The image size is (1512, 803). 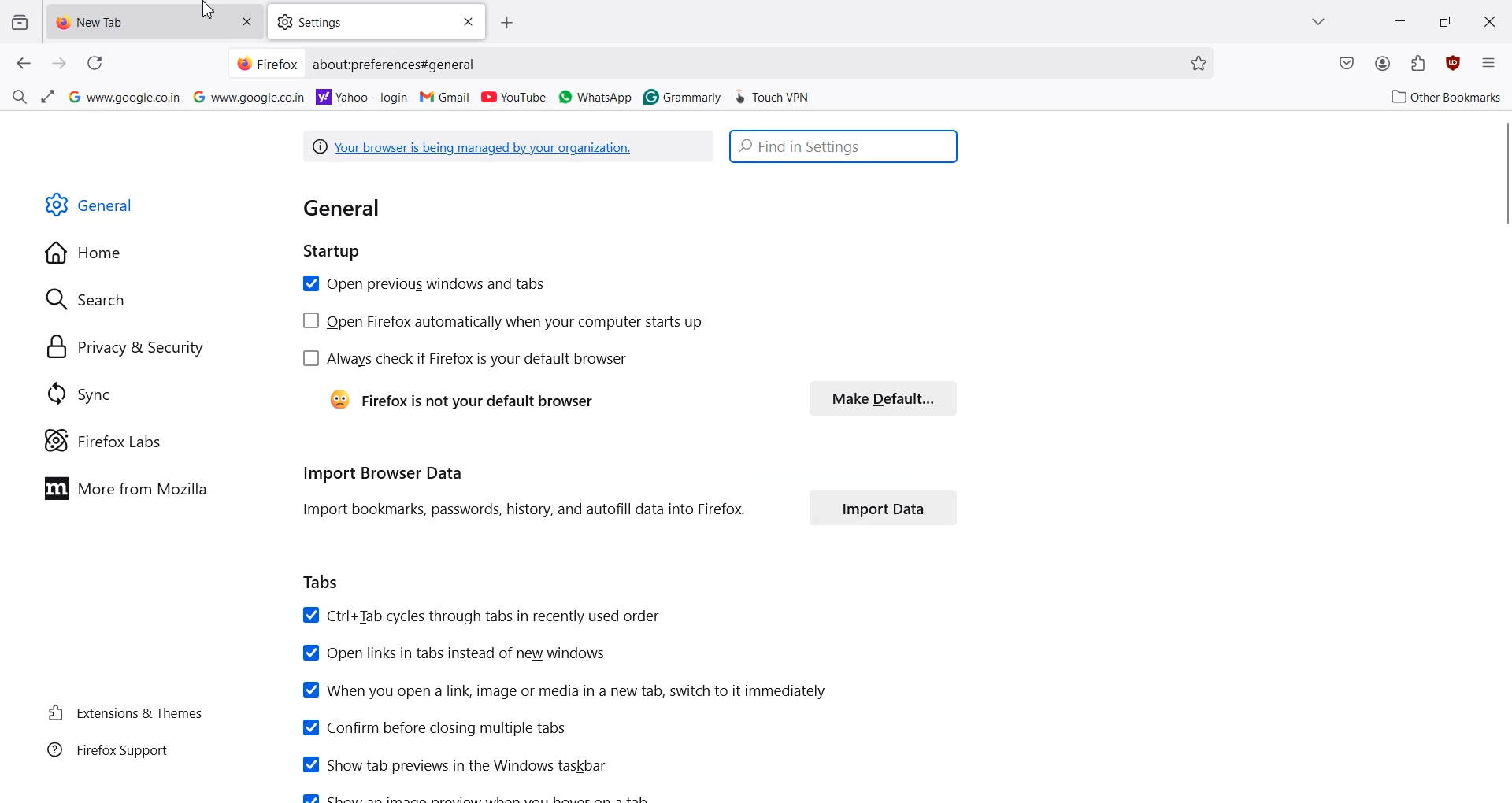 I want to click on Home, so click(x=87, y=253).